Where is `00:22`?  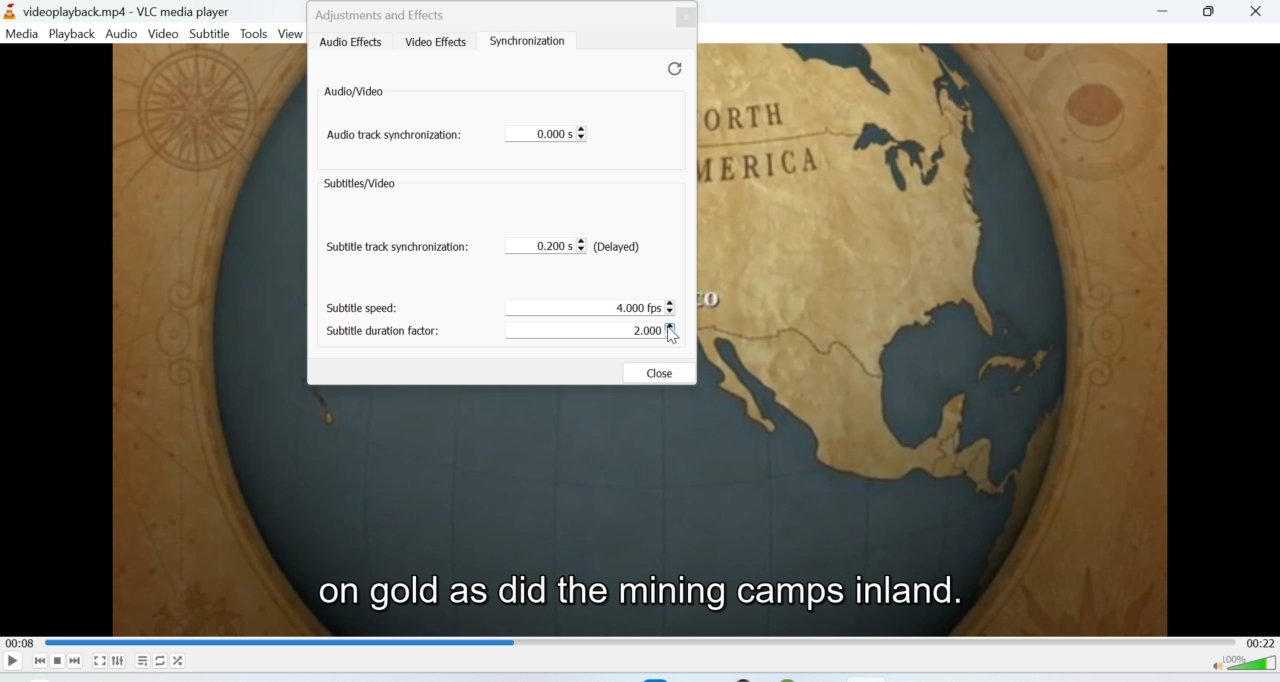 00:22 is located at coordinates (1263, 644).